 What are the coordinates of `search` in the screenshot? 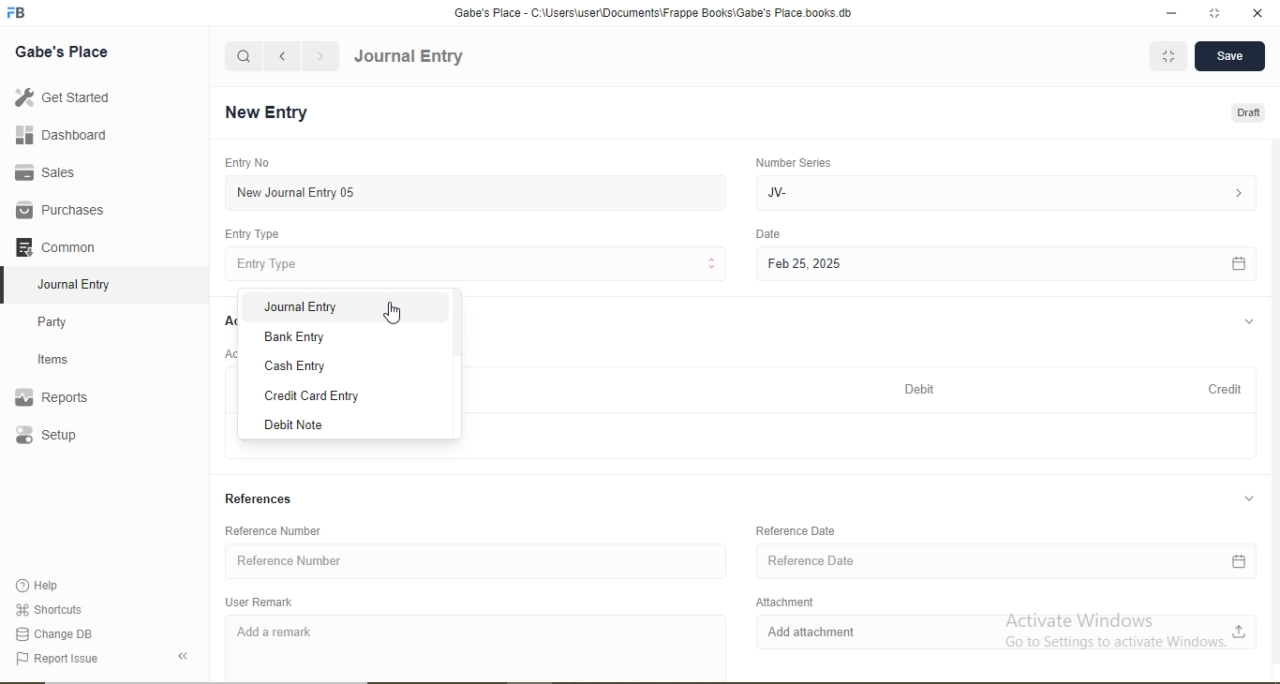 It's located at (244, 56).